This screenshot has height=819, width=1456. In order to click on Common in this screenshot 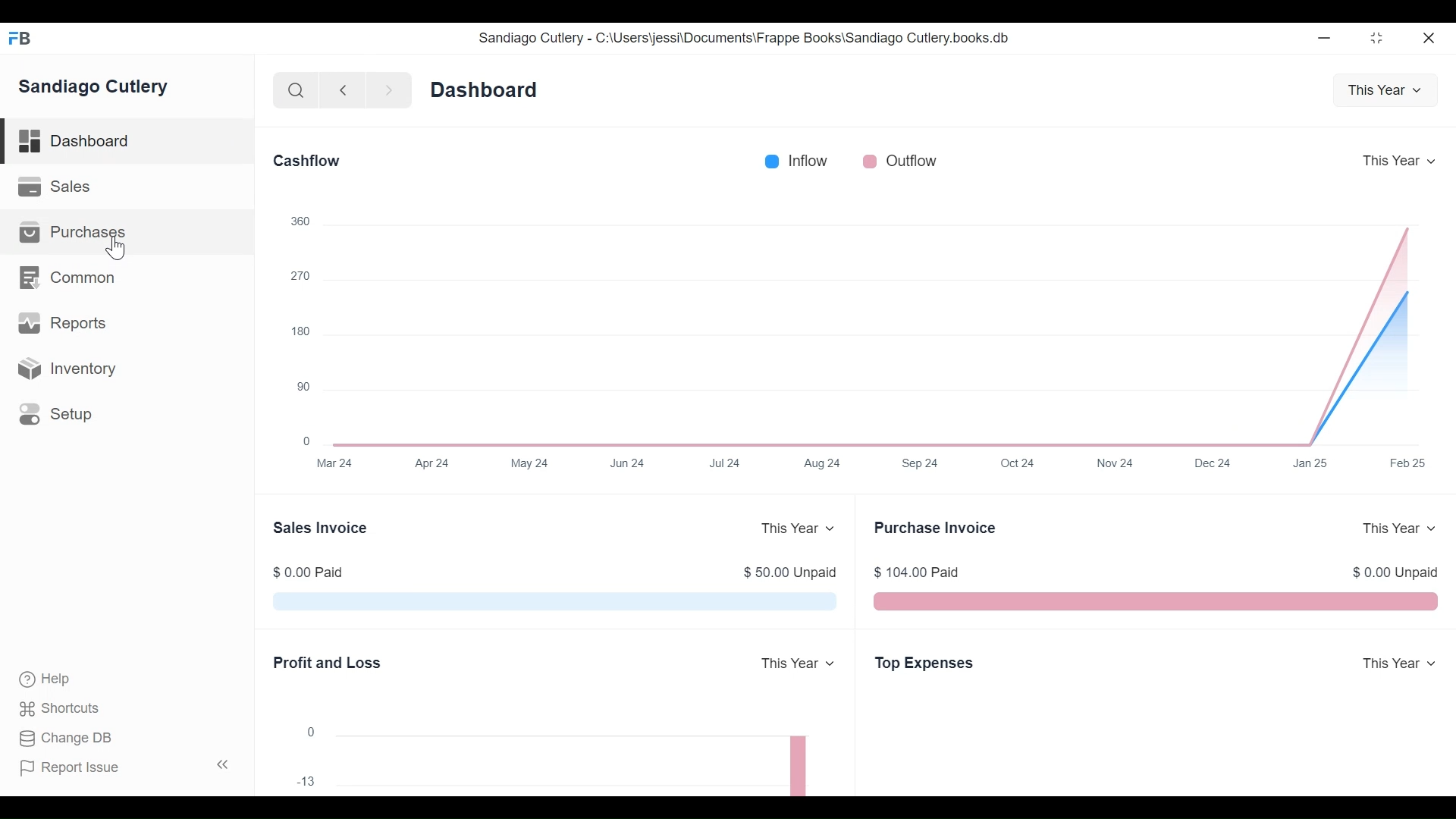, I will do `click(69, 278)`.